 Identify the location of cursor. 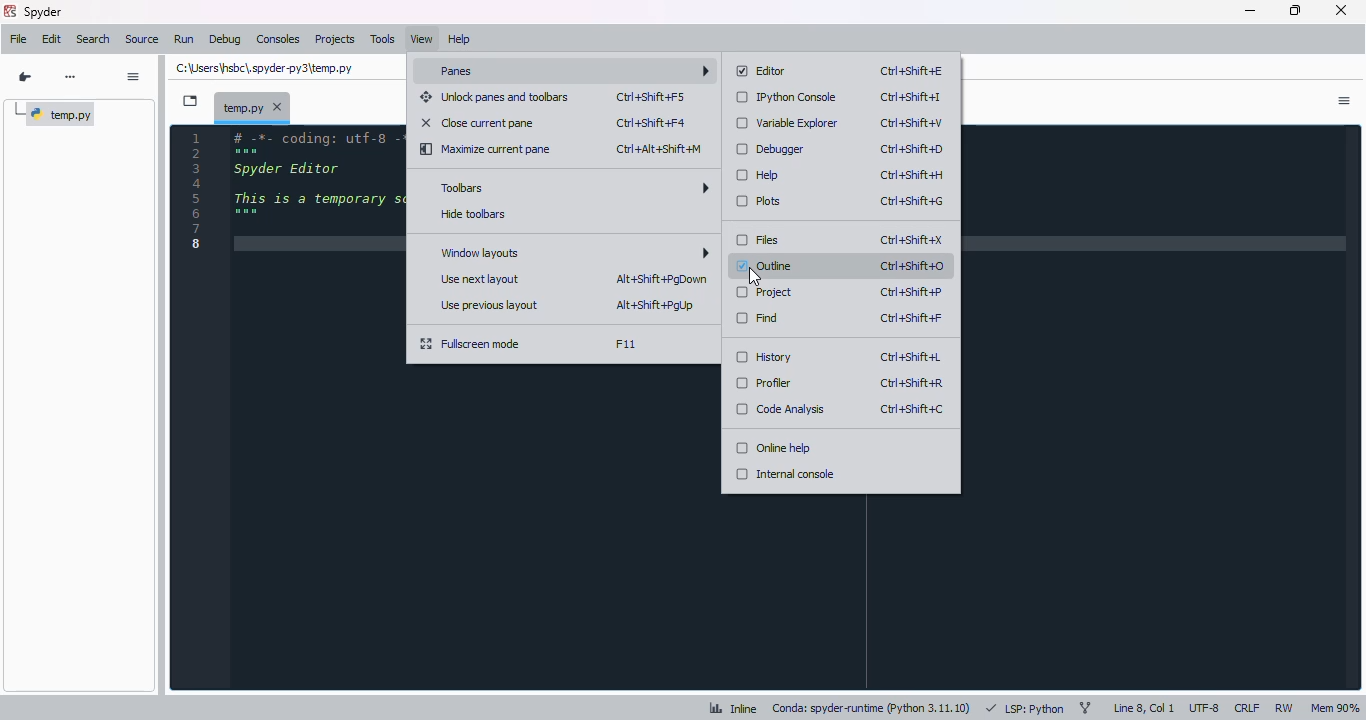
(756, 278).